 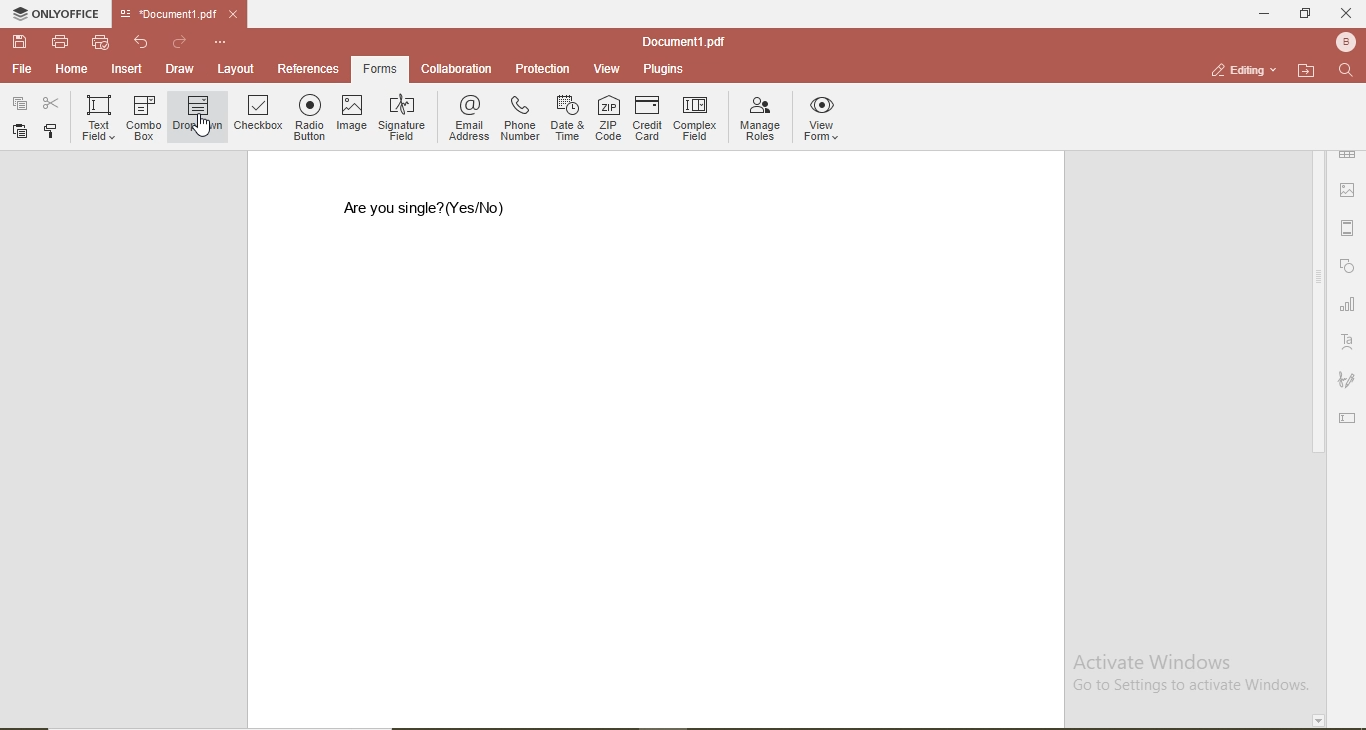 What do you see at coordinates (1318, 407) in the screenshot?
I see `scroll bar` at bounding box center [1318, 407].